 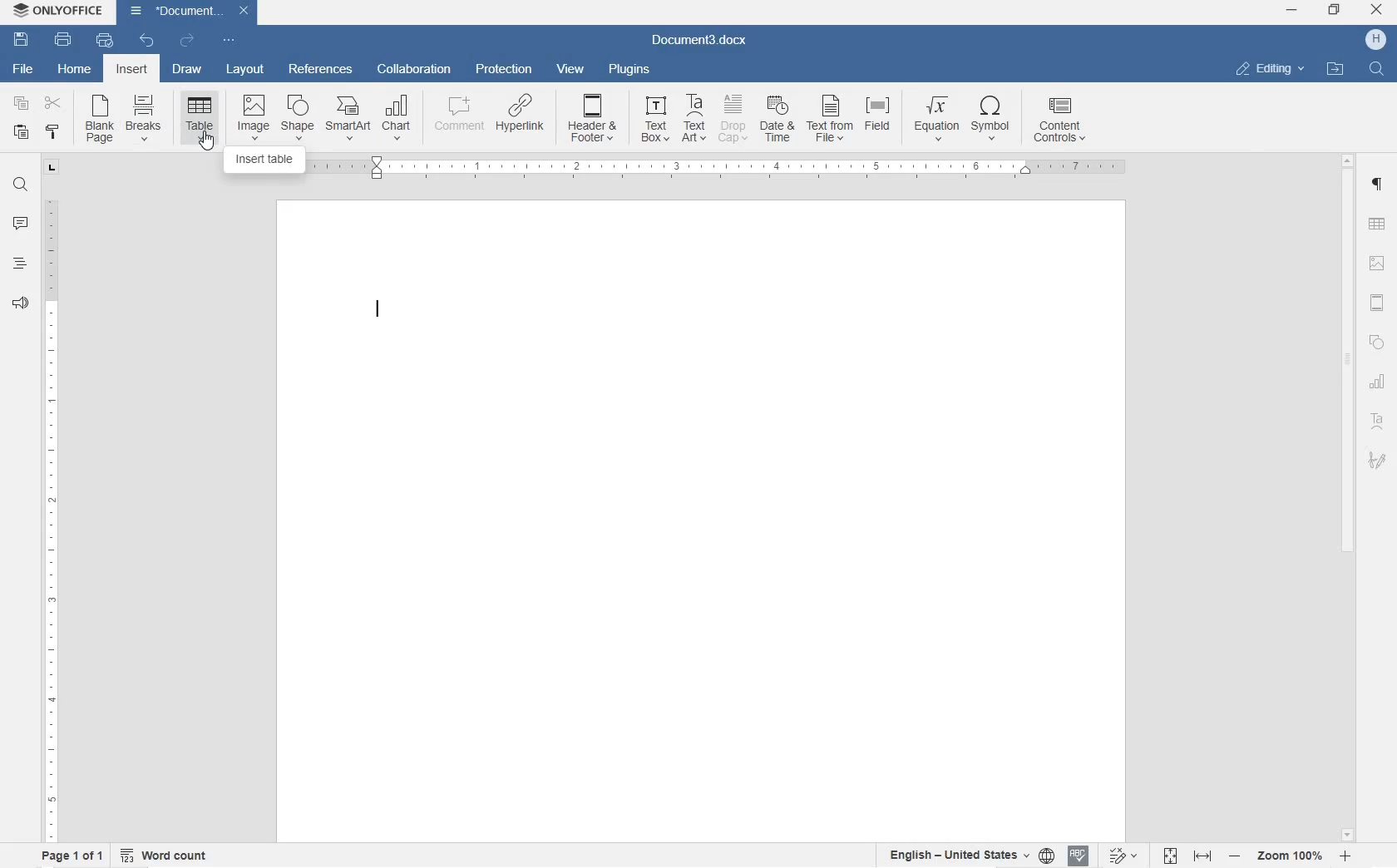 What do you see at coordinates (695, 118) in the screenshot?
I see `TextArt` at bounding box center [695, 118].